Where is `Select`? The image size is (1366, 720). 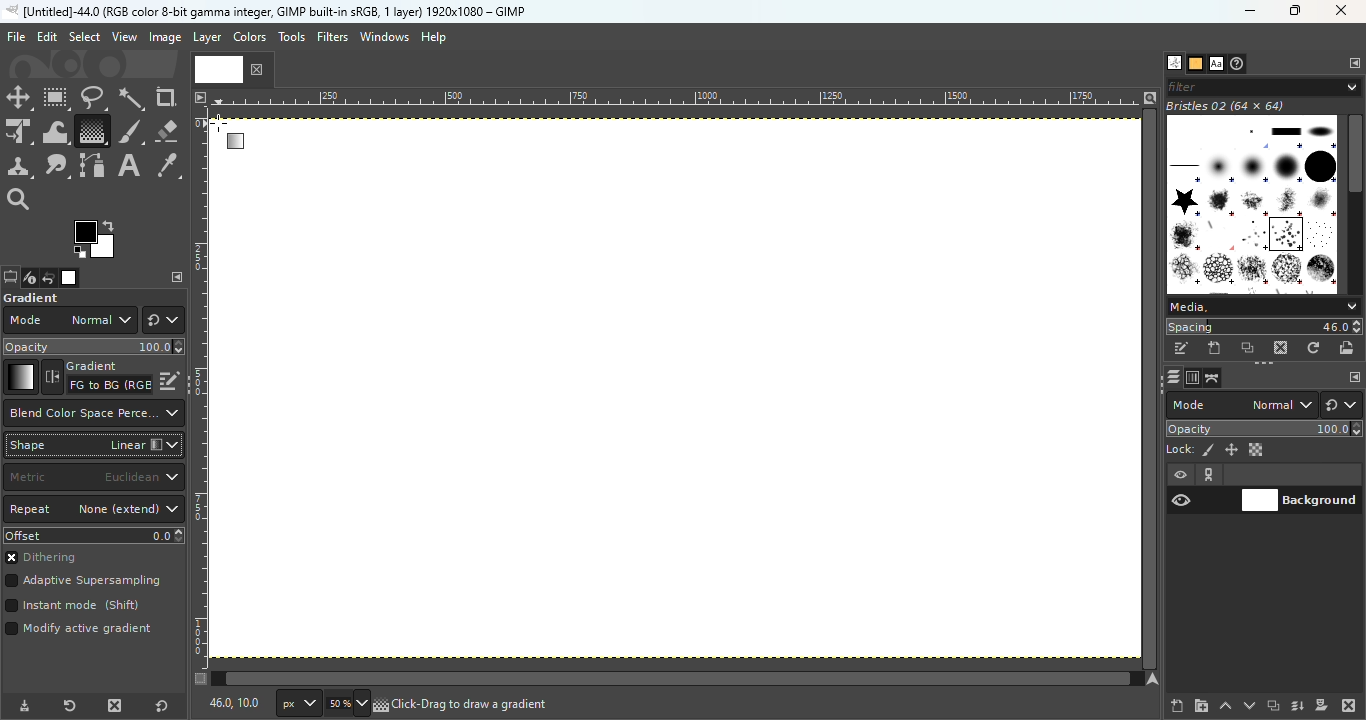 Select is located at coordinates (84, 36).